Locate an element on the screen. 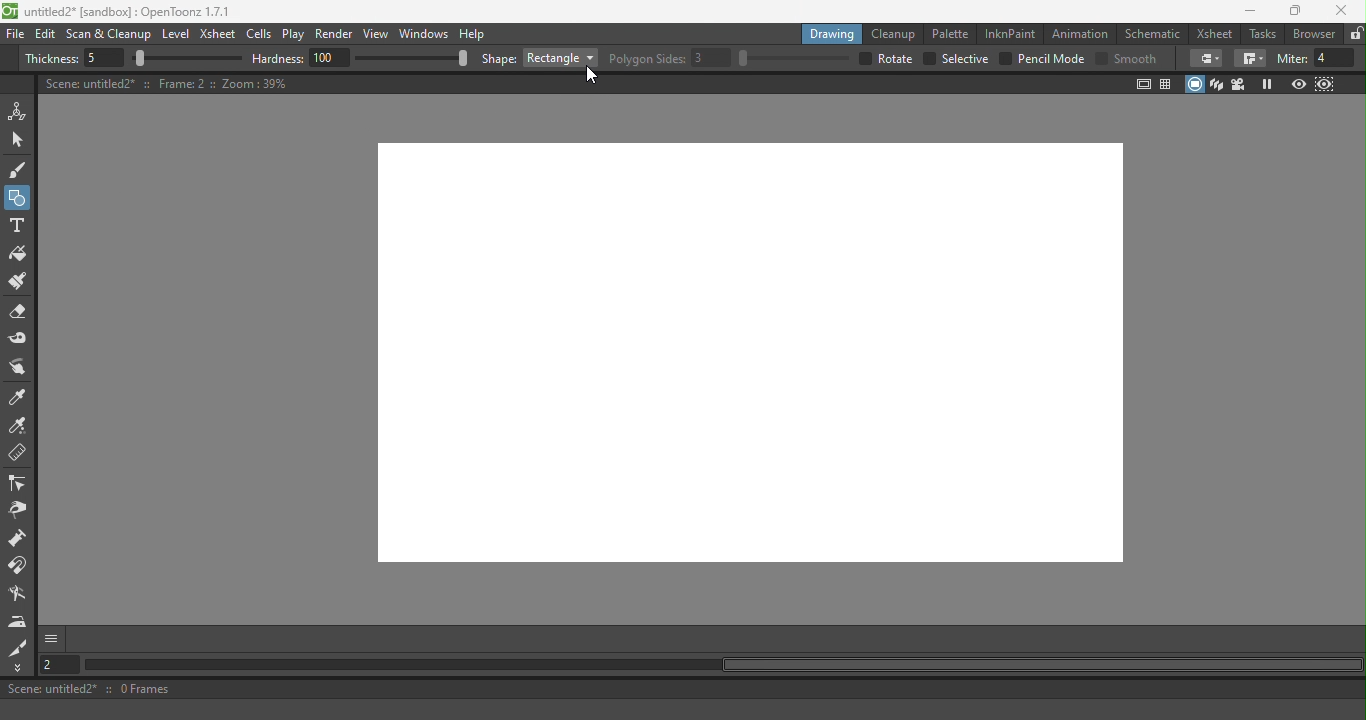 The width and height of the screenshot is (1366, 720). Scene: untitled2* :: 0 Frames is located at coordinates (683, 689).